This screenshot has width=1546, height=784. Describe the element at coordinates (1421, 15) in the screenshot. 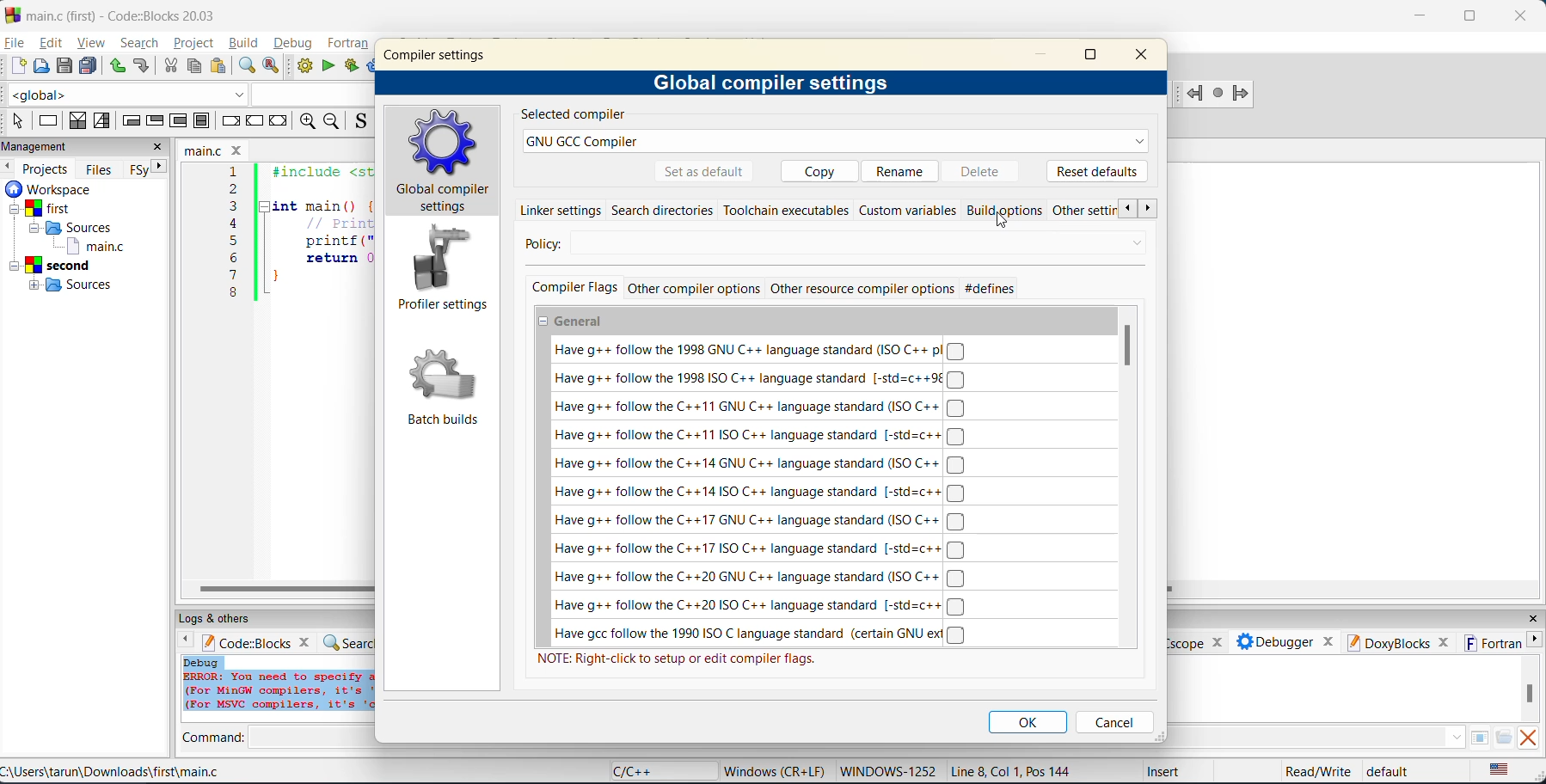

I see `minimize` at that location.